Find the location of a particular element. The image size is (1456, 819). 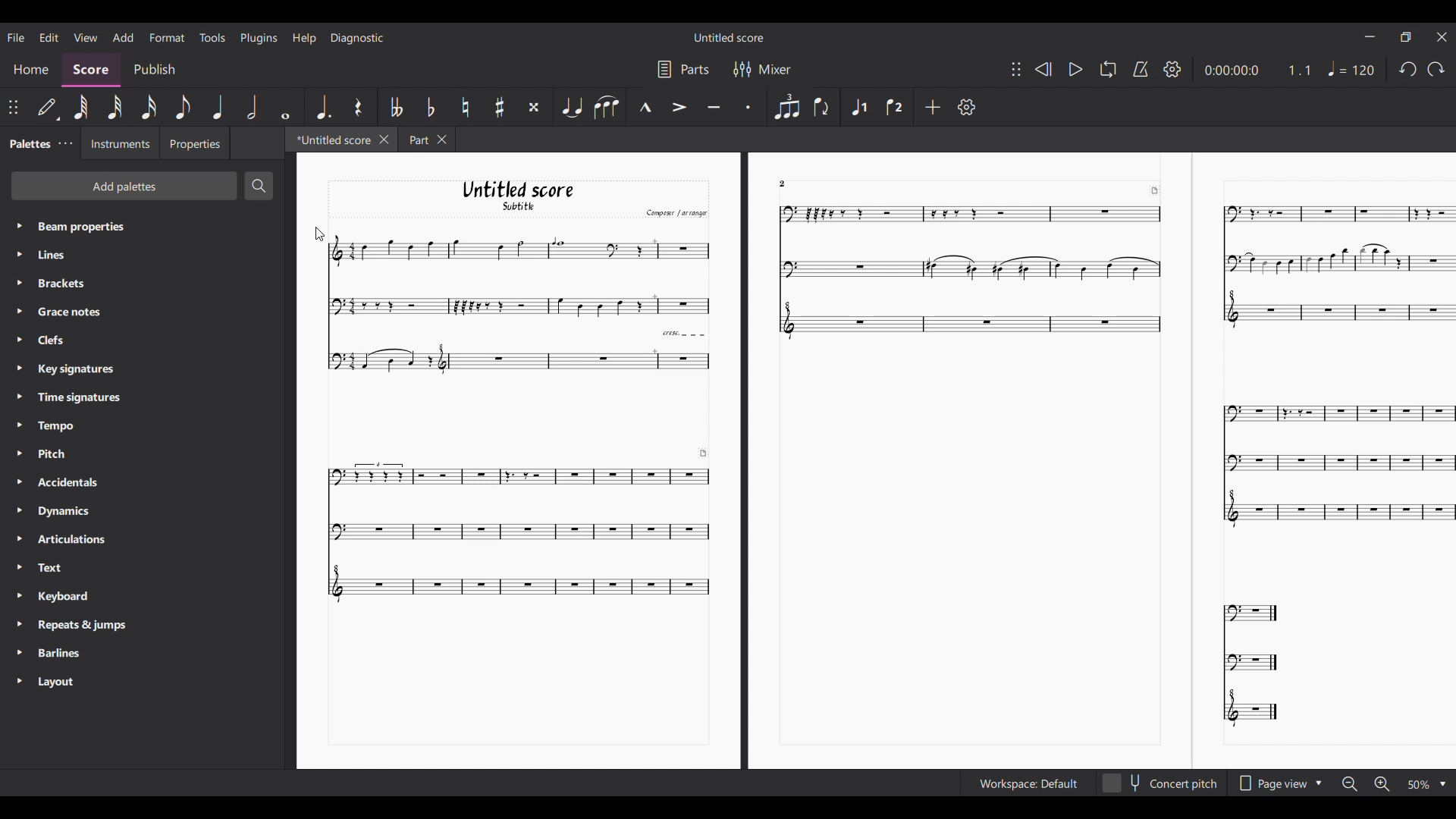

Add is located at coordinates (932, 106).